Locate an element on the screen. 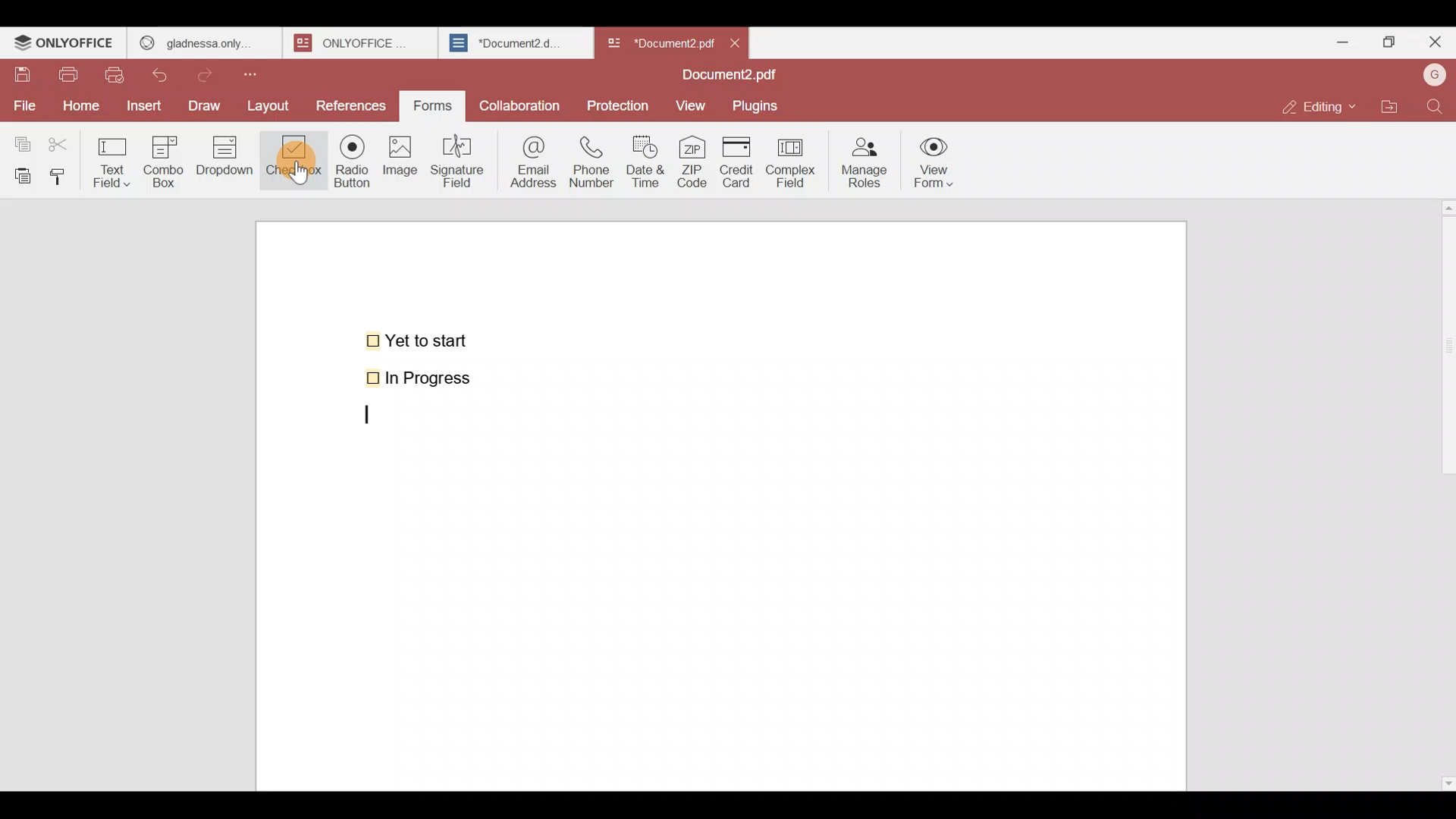  Open file location is located at coordinates (1389, 105).